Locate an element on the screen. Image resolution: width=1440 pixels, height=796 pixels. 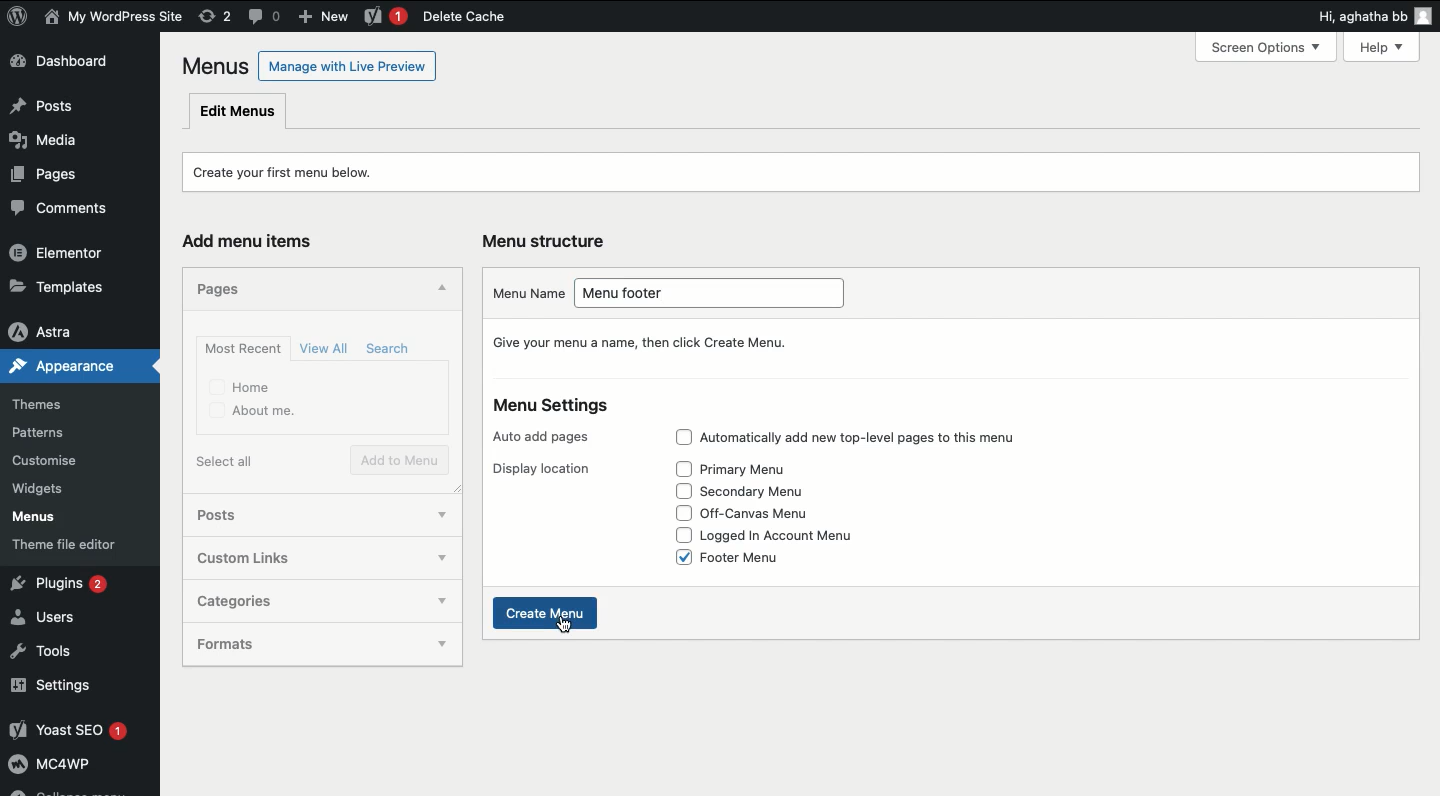
Settings is located at coordinates (75, 687).